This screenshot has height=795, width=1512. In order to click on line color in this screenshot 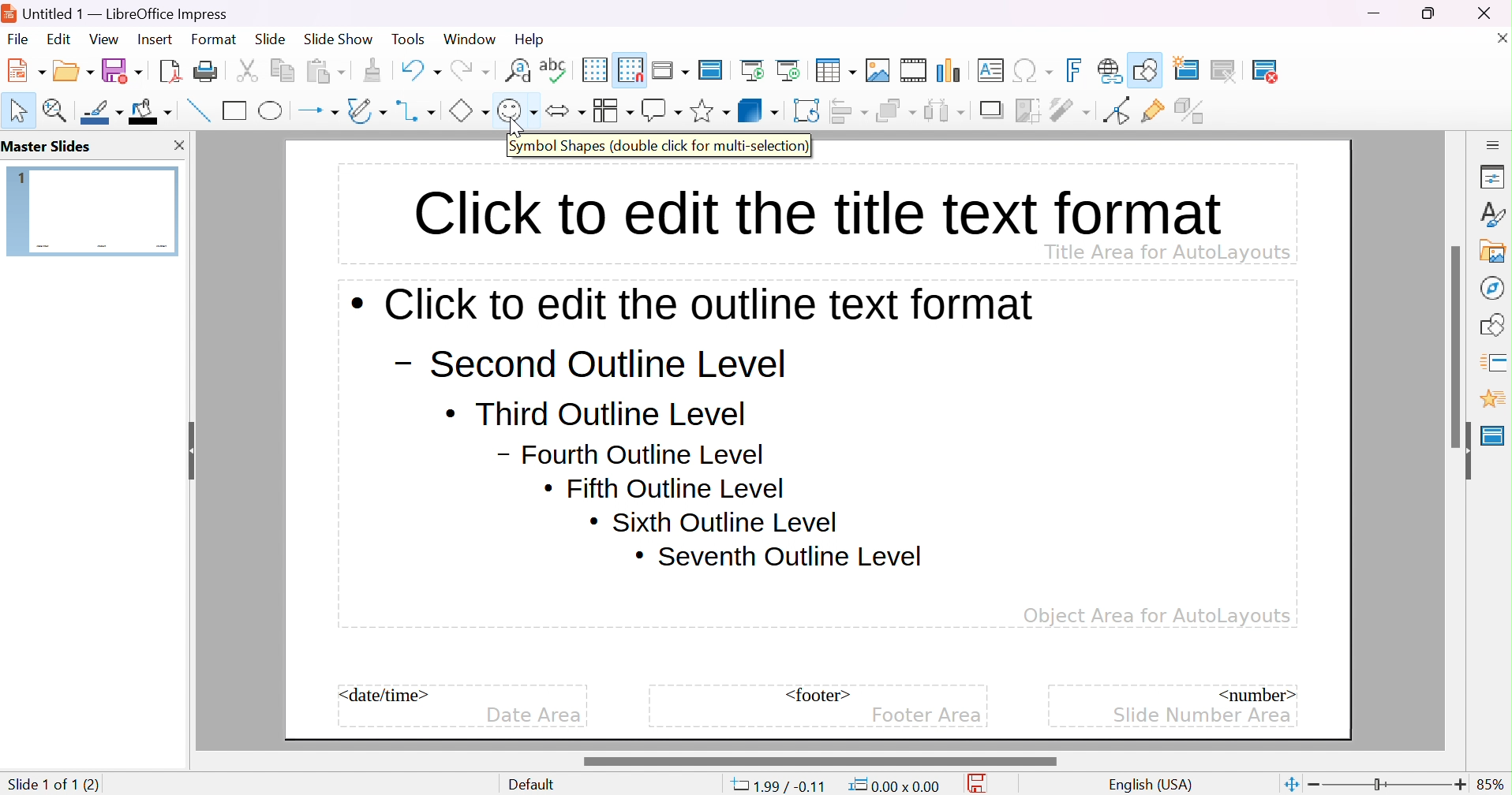, I will do `click(103, 112)`.